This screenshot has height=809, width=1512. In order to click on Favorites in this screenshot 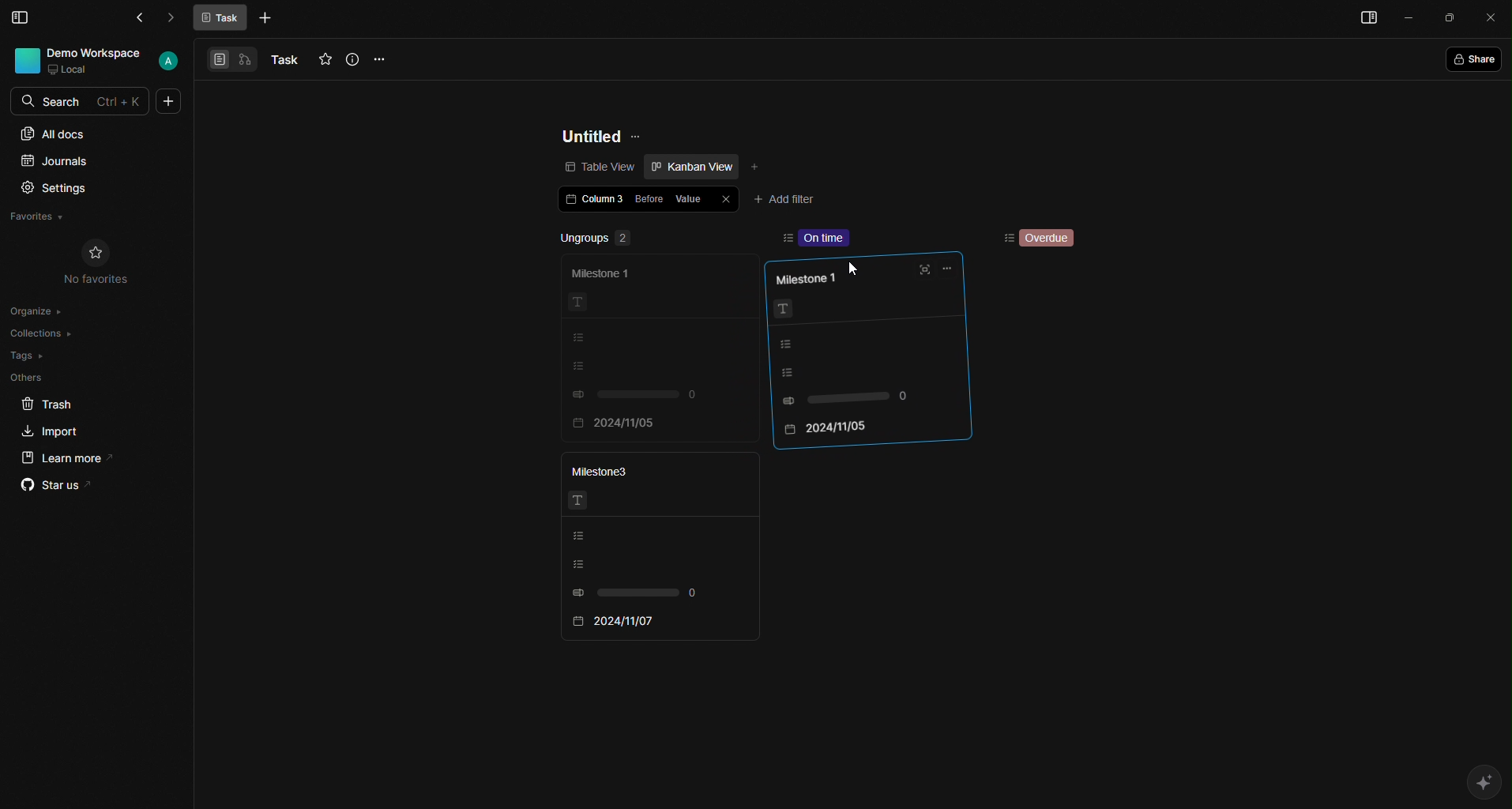, I will do `click(39, 216)`.